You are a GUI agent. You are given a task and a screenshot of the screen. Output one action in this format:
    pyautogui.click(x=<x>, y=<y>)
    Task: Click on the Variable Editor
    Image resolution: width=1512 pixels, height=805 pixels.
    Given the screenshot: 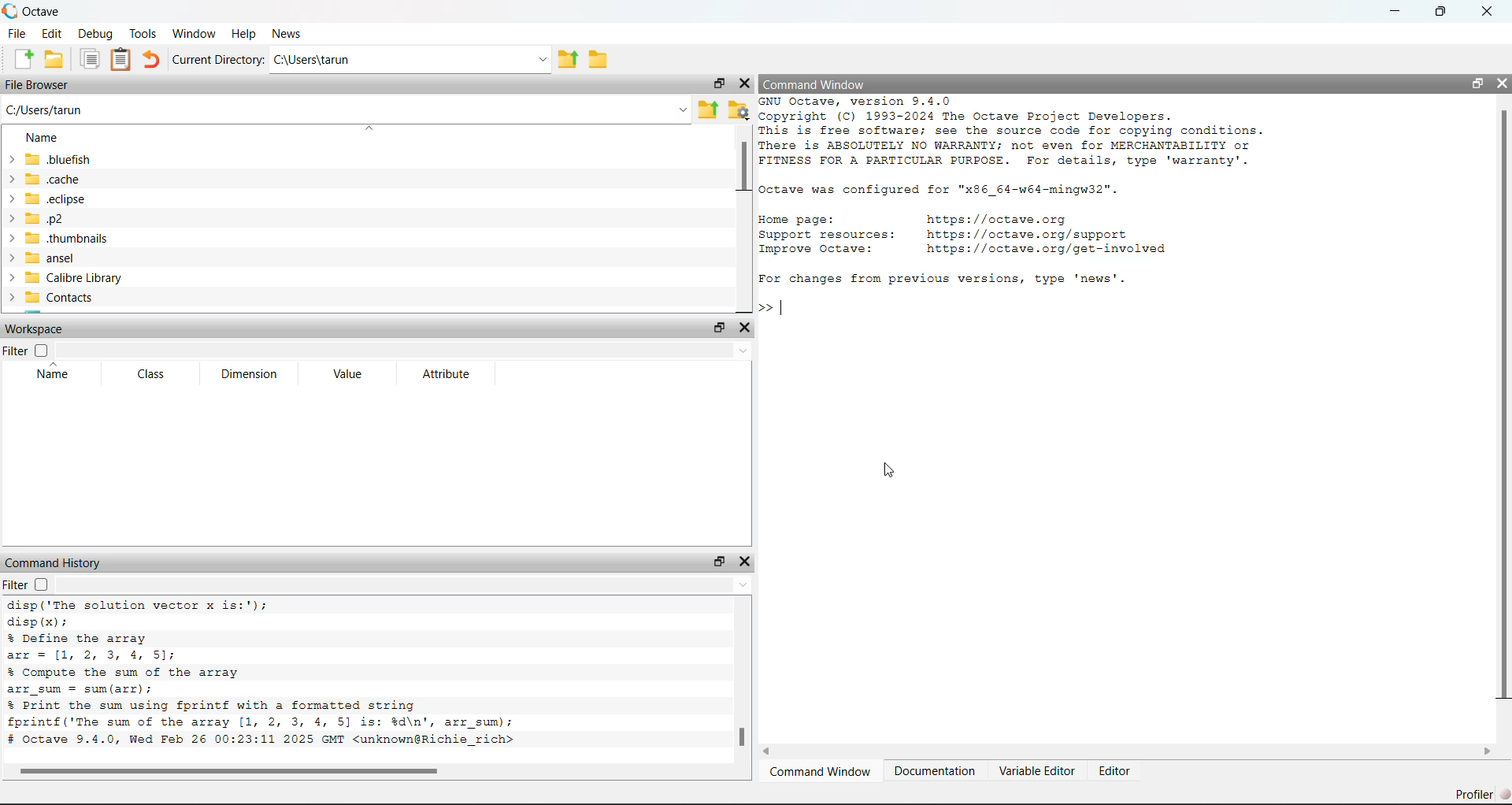 What is the action you would take?
    pyautogui.click(x=1037, y=772)
    